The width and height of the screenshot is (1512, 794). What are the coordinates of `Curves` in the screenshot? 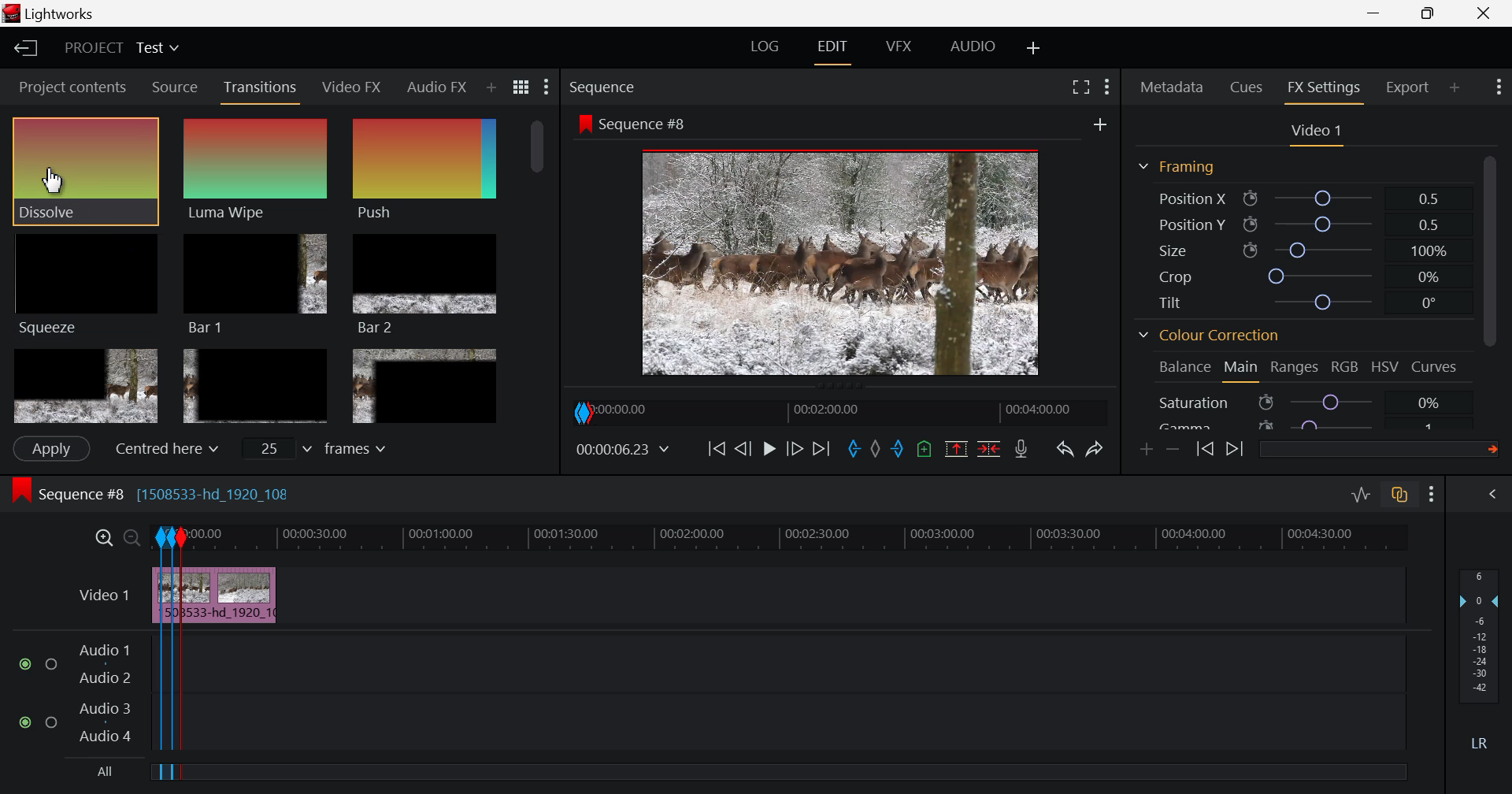 It's located at (1436, 367).